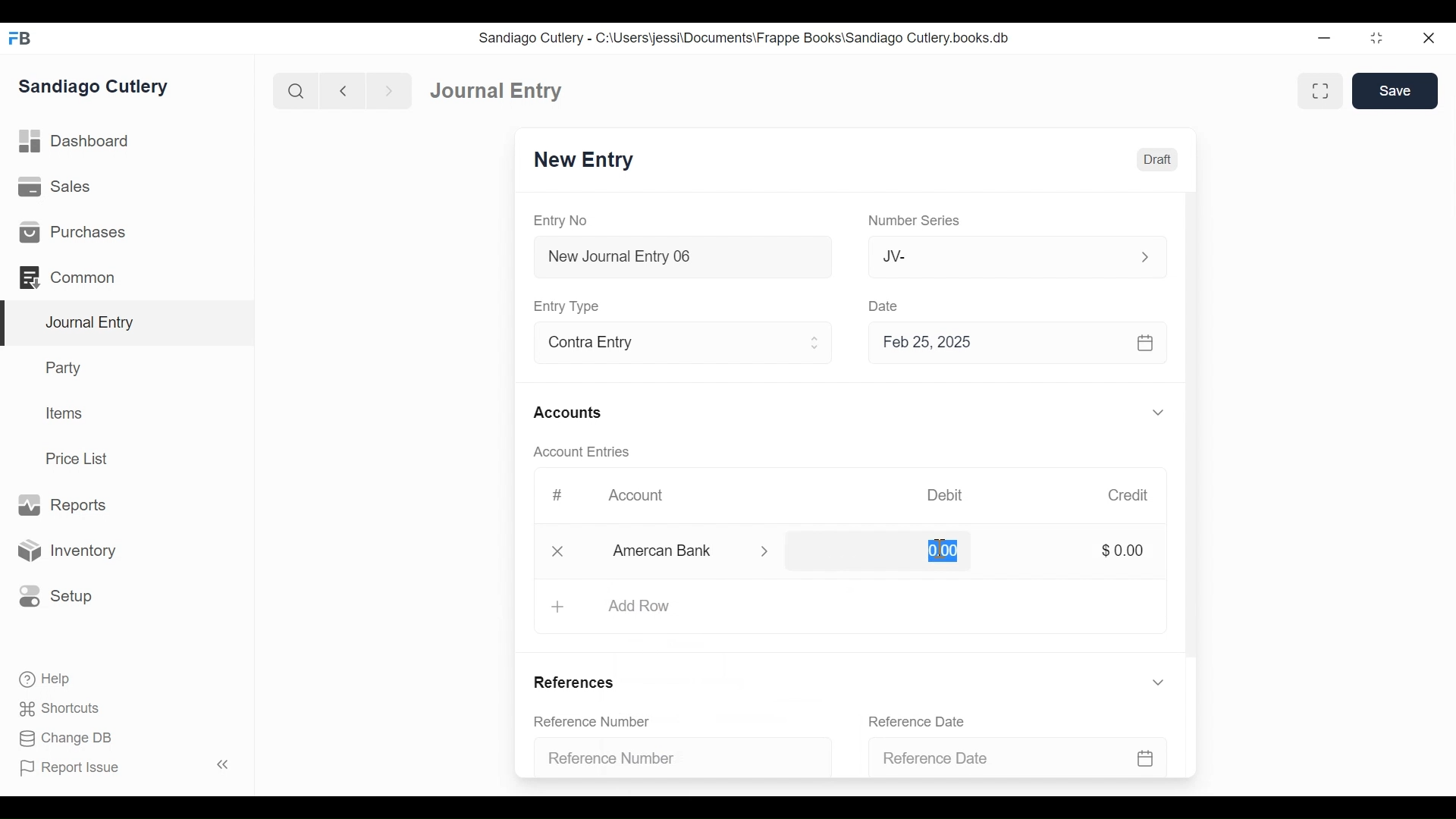 The width and height of the screenshot is (1456, 819). What do you see at coordinates (557, 607) in the screenshot?
I see `+` at bounding box center [557, 607].